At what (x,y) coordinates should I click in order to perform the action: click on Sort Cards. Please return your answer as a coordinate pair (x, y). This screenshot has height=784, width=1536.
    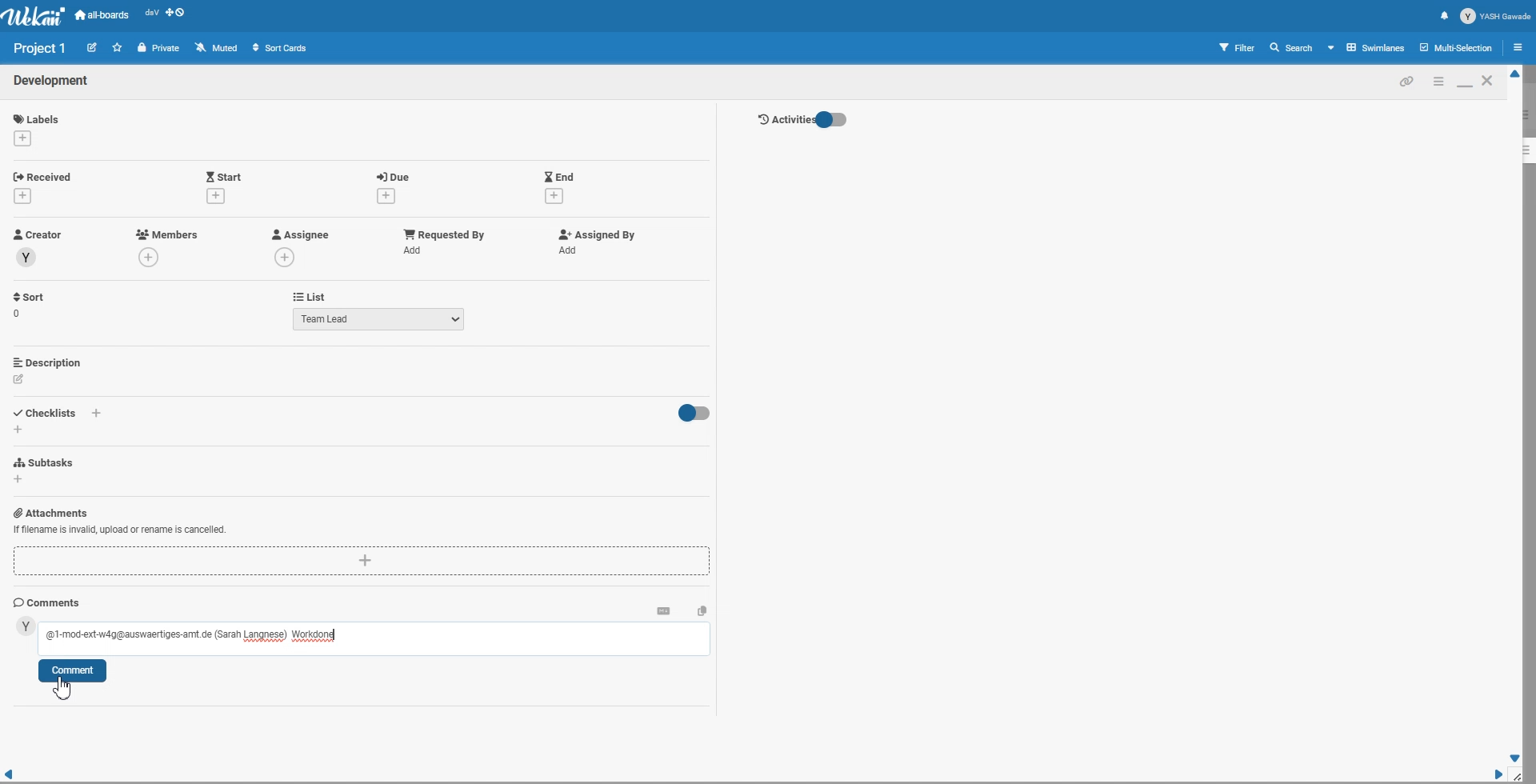
    Looking at the image, I should click on (279, 47).